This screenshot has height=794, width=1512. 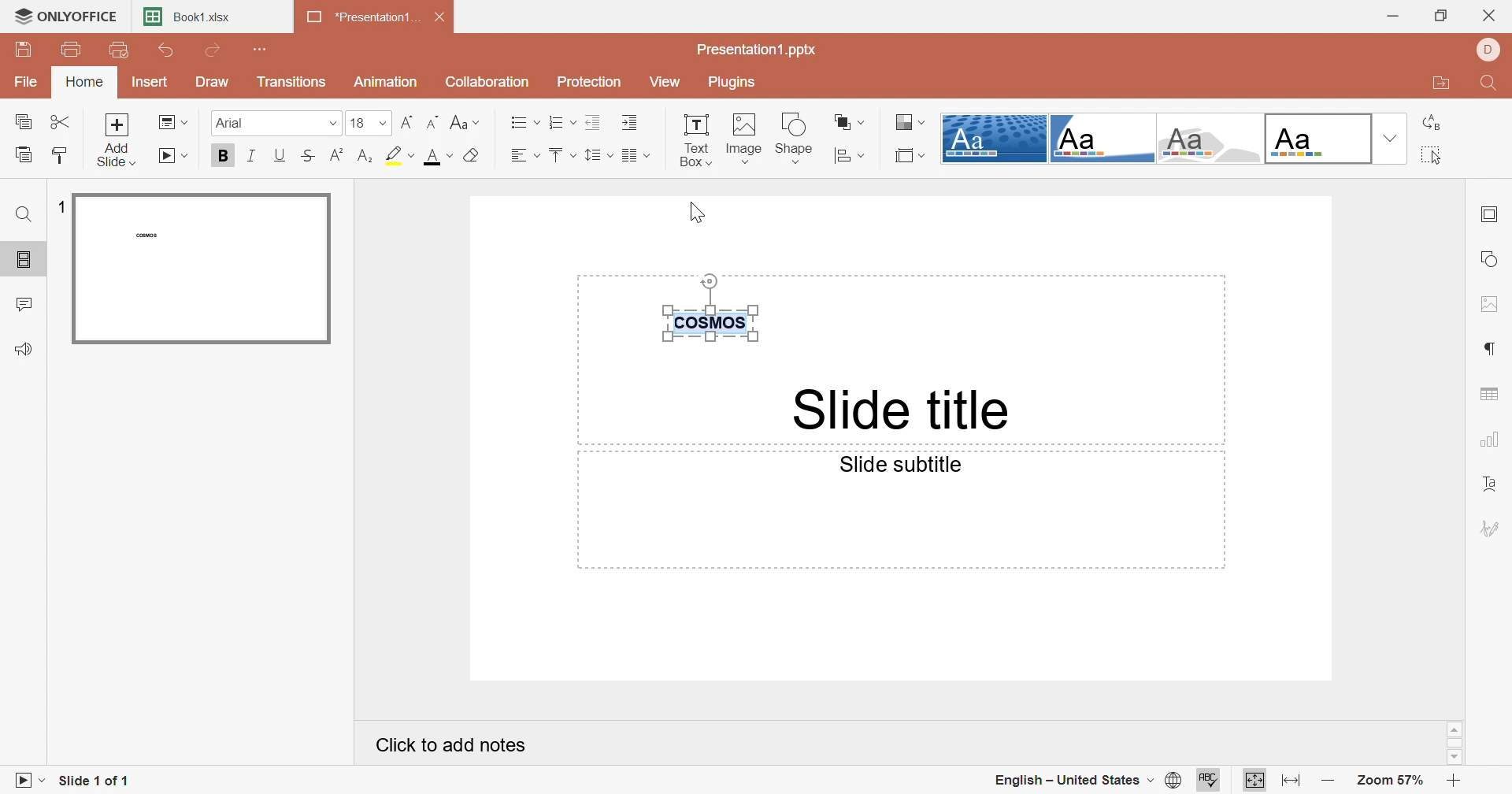 What do you see at coordinates (17, 48) in the screenshot?
I see `Save` at bounding box center [17, 48].